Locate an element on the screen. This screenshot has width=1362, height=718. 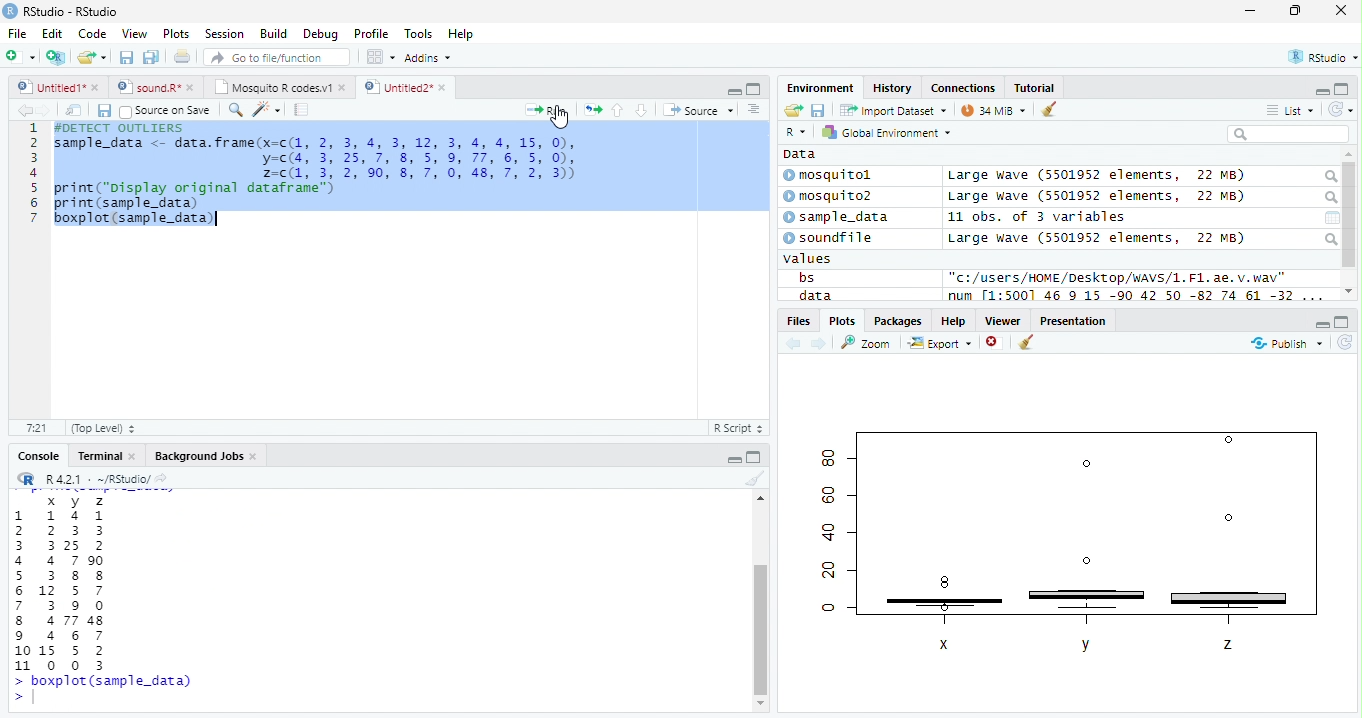
R 4.2.1 - ~/RStudio/ is located at coordinates (97, 480).